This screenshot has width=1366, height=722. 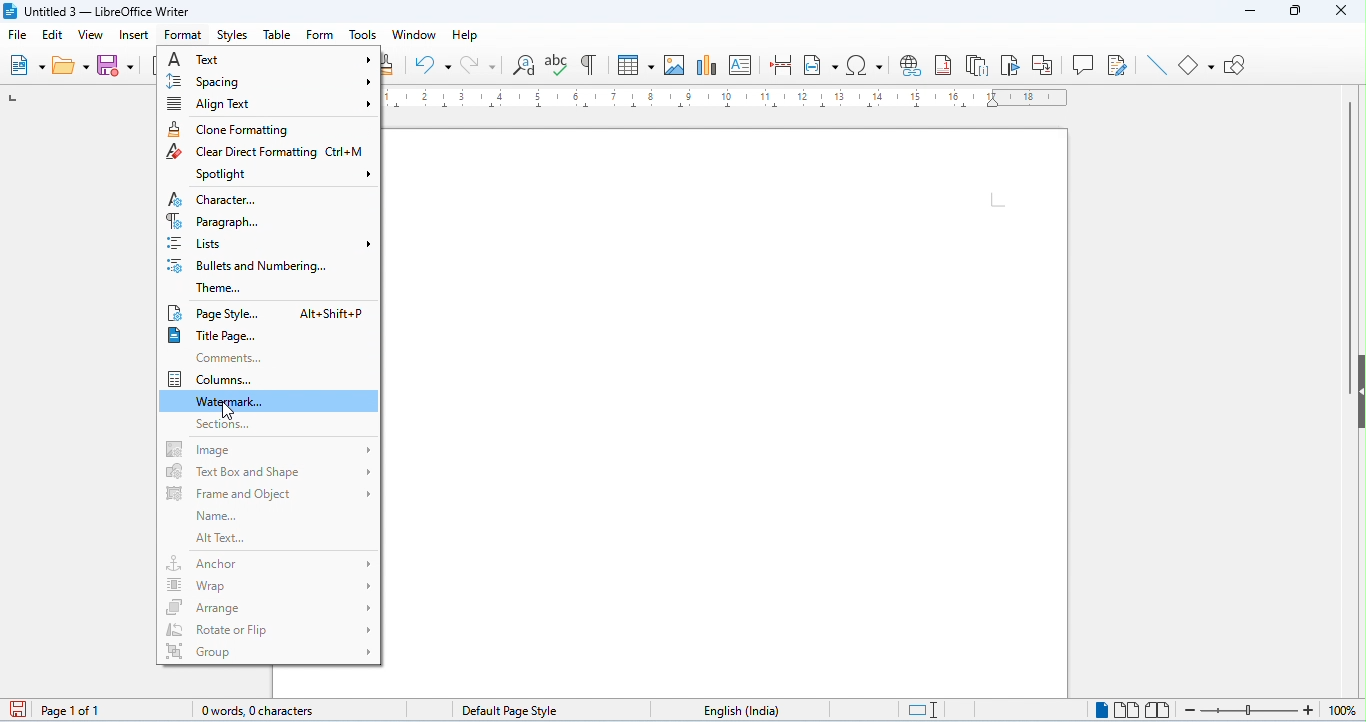 What do you see at coordinates (271, 563) in the screenshot?
I see `anchor` at bounding box center [271, 563].